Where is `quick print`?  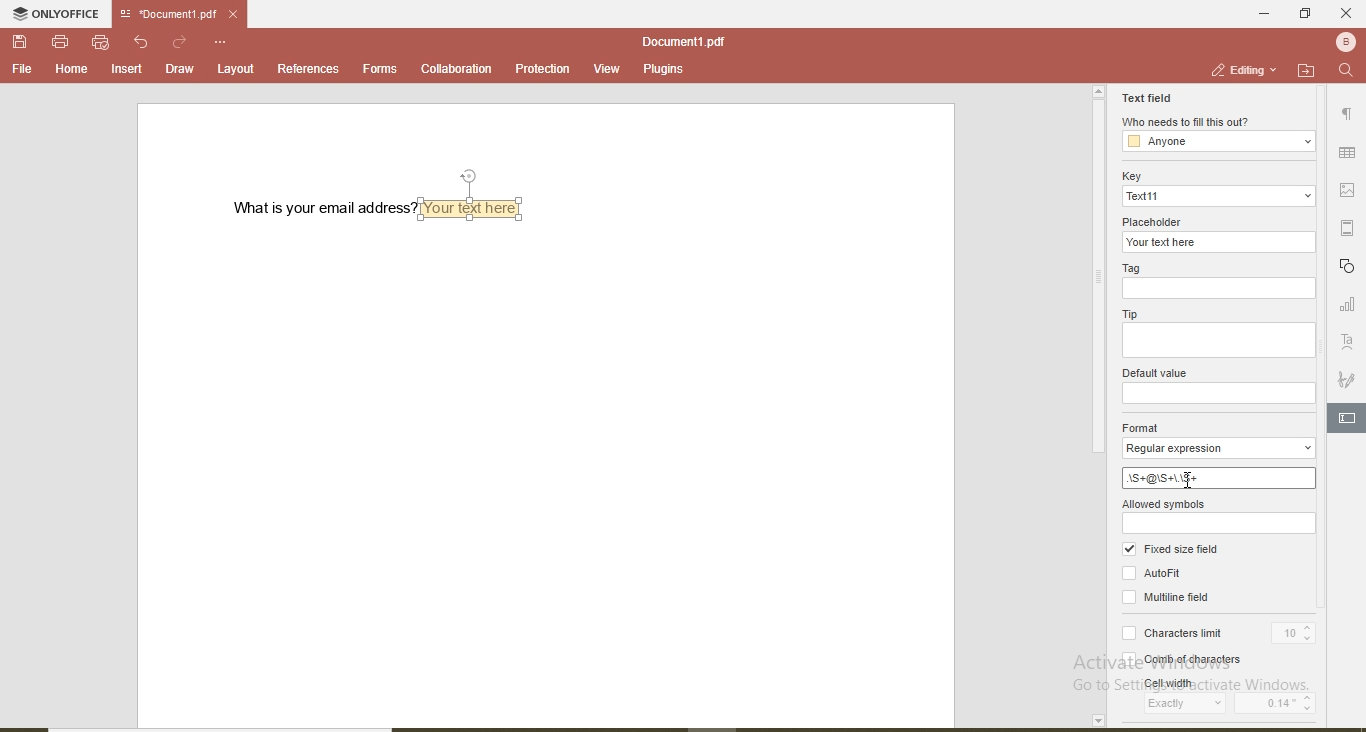 quick print is located at coordinates (101, 42).